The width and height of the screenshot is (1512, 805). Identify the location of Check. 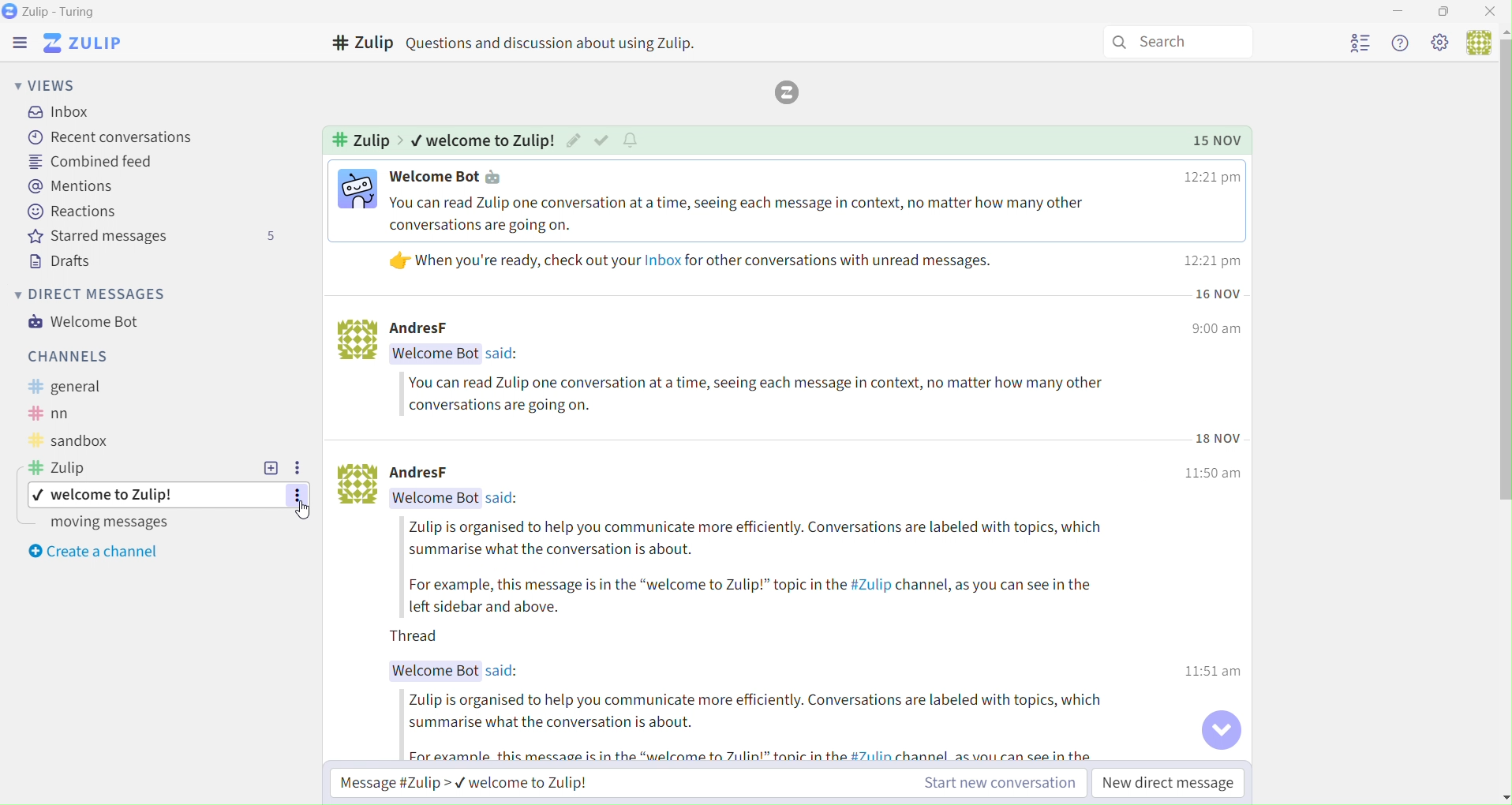
(601, 140).